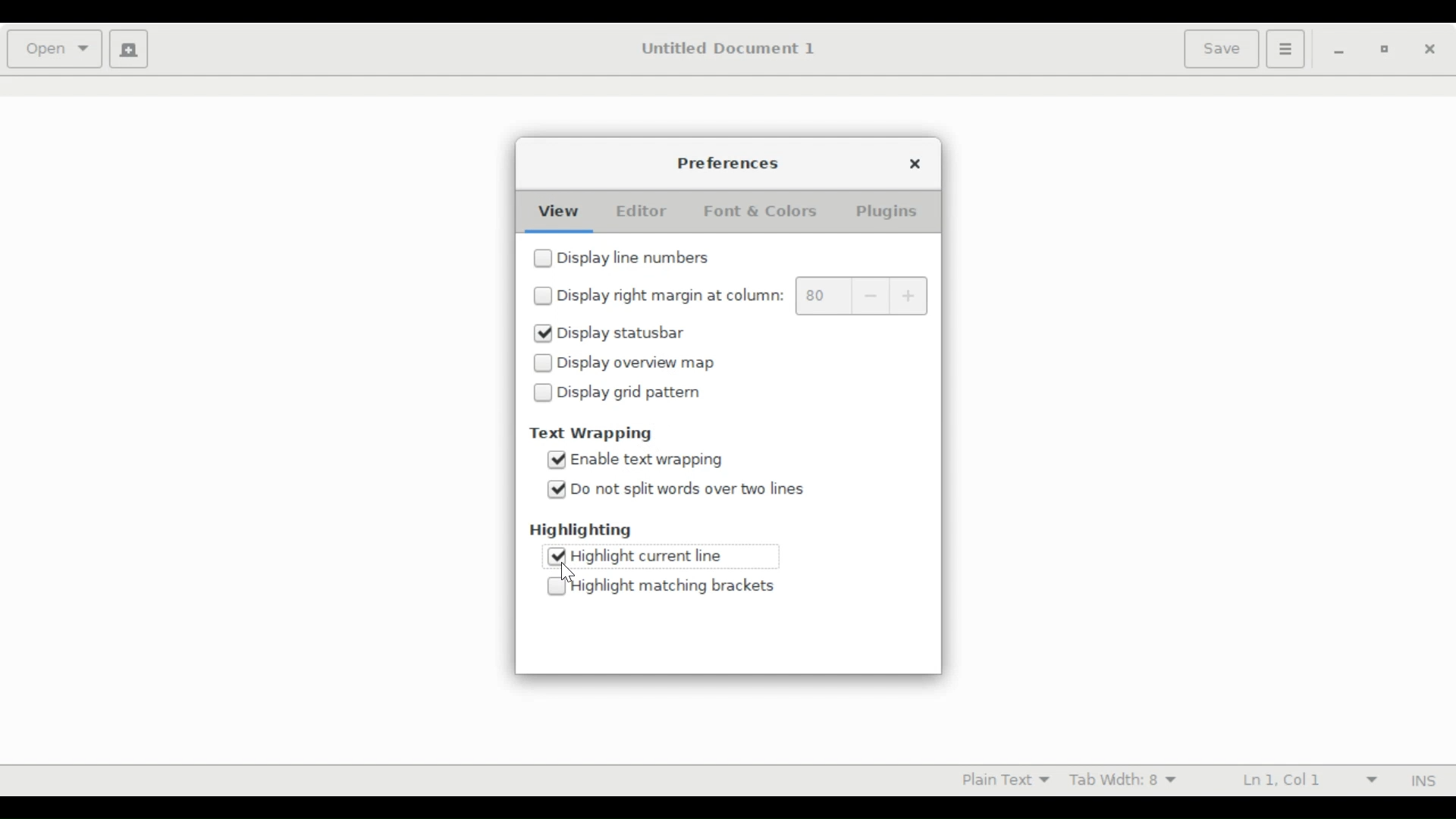 This screenshot has width=1456, height=819. What do you see at coordinates (128, 49) in the screenshot?
I see `Create a new document` at bounding box center [128, 49].